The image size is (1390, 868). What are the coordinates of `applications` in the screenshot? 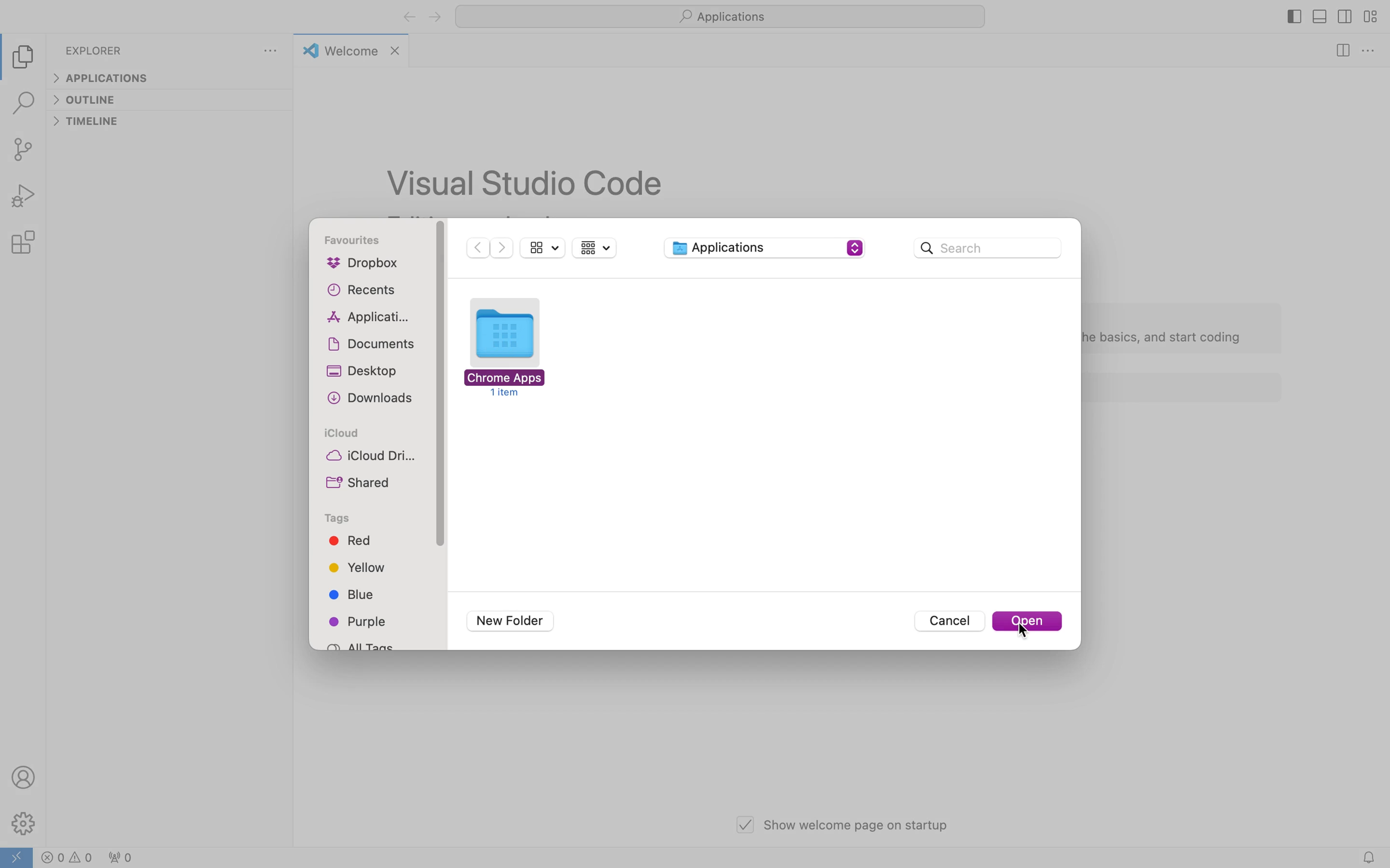 It's located at (720, 15).